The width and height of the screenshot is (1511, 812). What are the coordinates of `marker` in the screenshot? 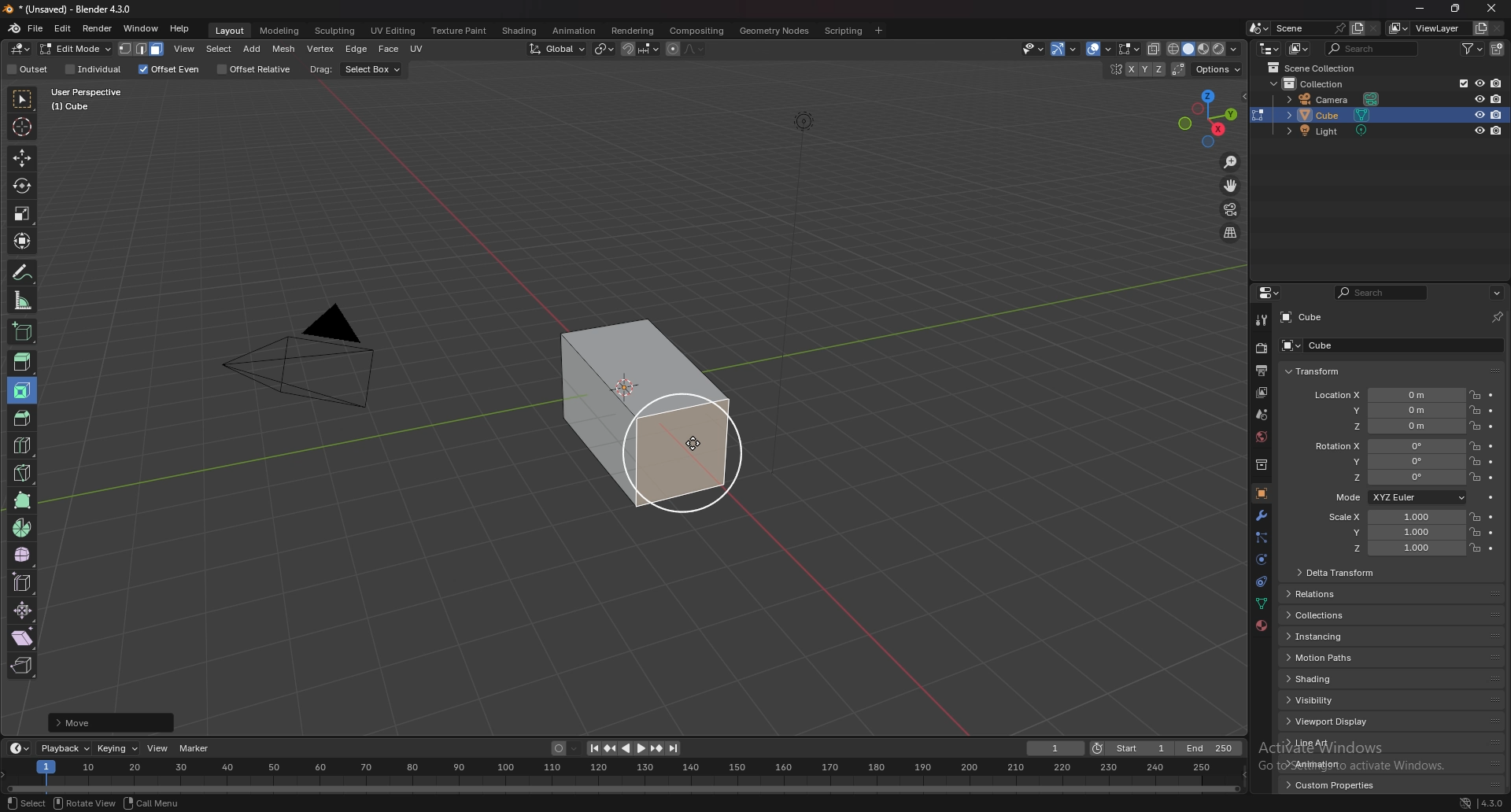 It's located at (195, 747).